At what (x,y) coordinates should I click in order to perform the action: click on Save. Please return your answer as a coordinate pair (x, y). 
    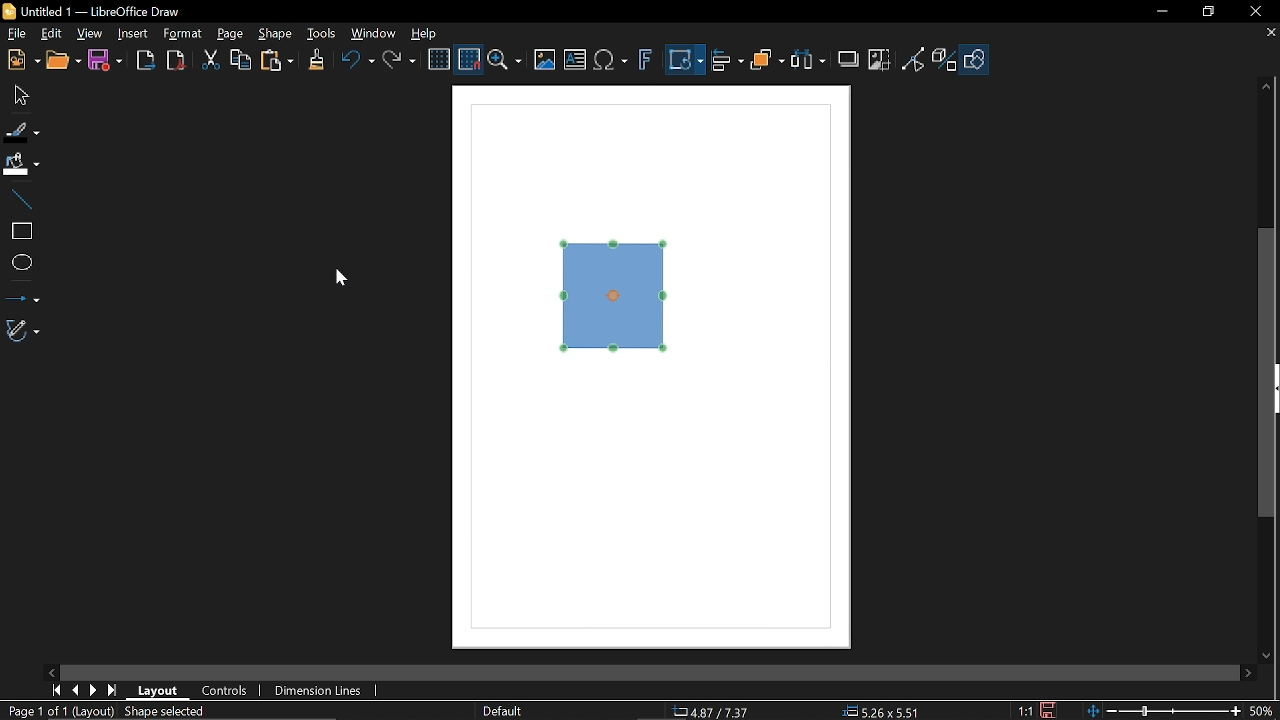
    Looking at the image, I should click on (104, 63).